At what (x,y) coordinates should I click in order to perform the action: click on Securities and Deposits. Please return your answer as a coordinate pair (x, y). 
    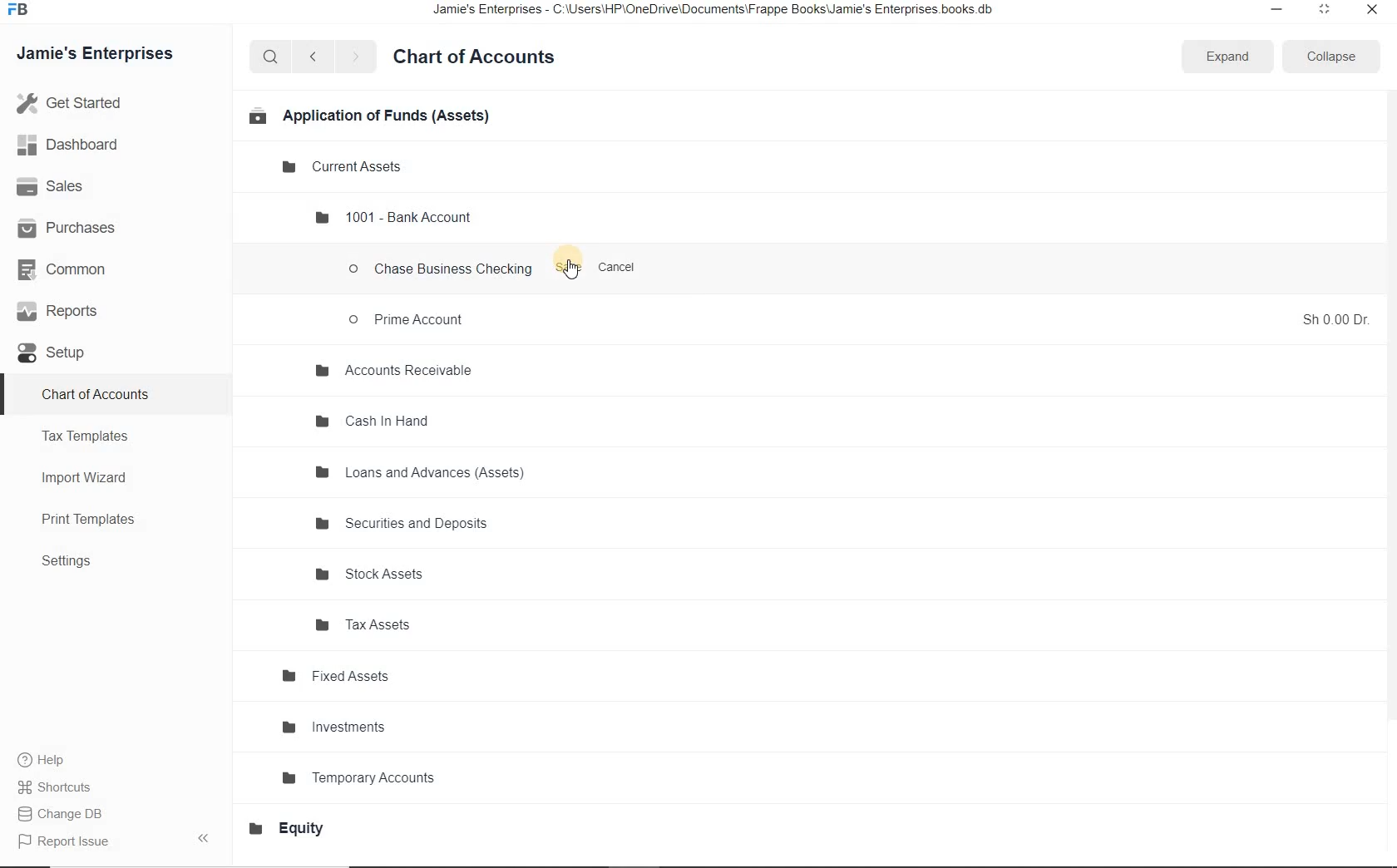
    Looking at the image, I should click on (406, 525).